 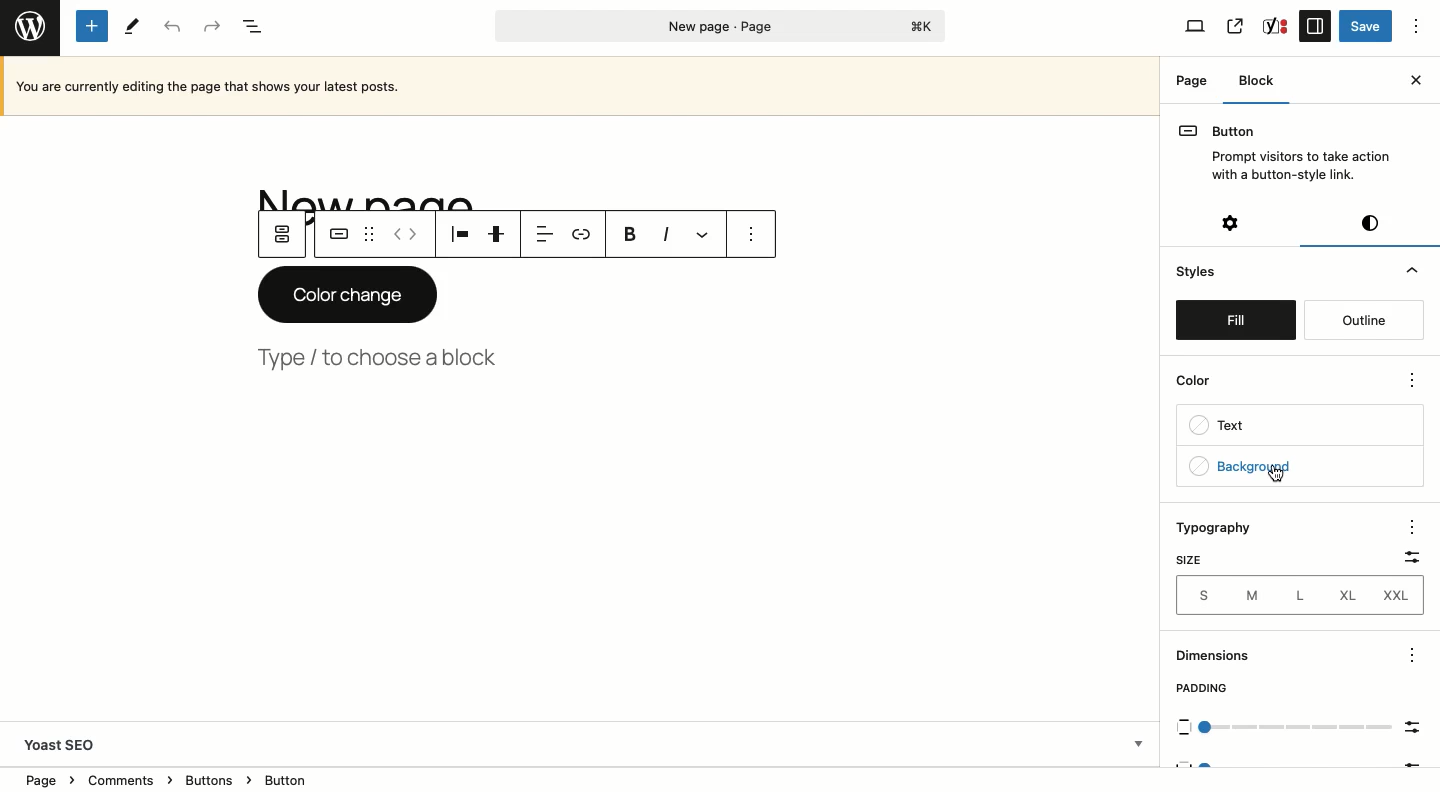 I want to click on options, so click(x=1414, y=527).